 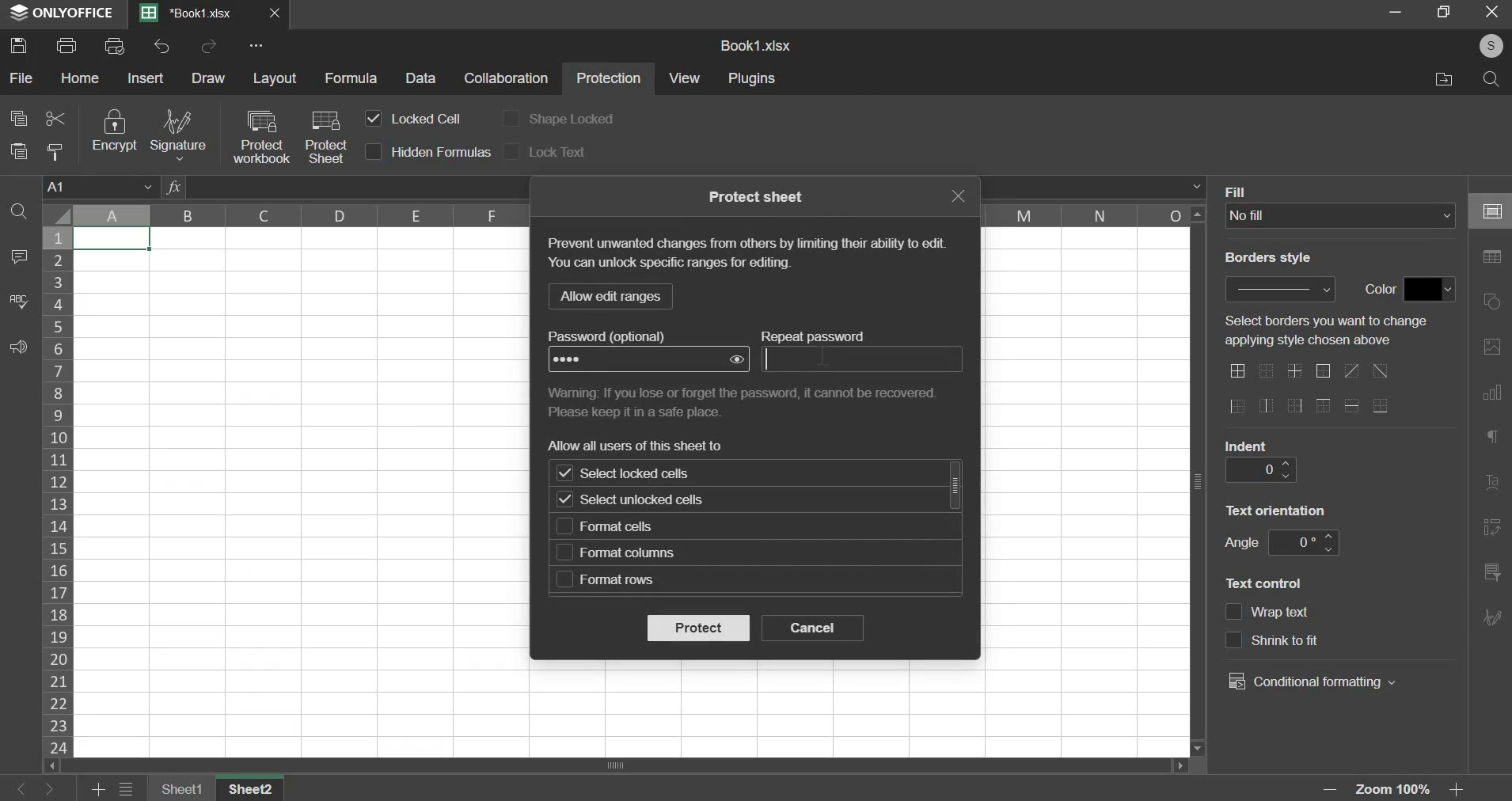 What do you see at coordinates (276, 13) in the screenshot?
I see `Close ` at bounding box center [276, 13].